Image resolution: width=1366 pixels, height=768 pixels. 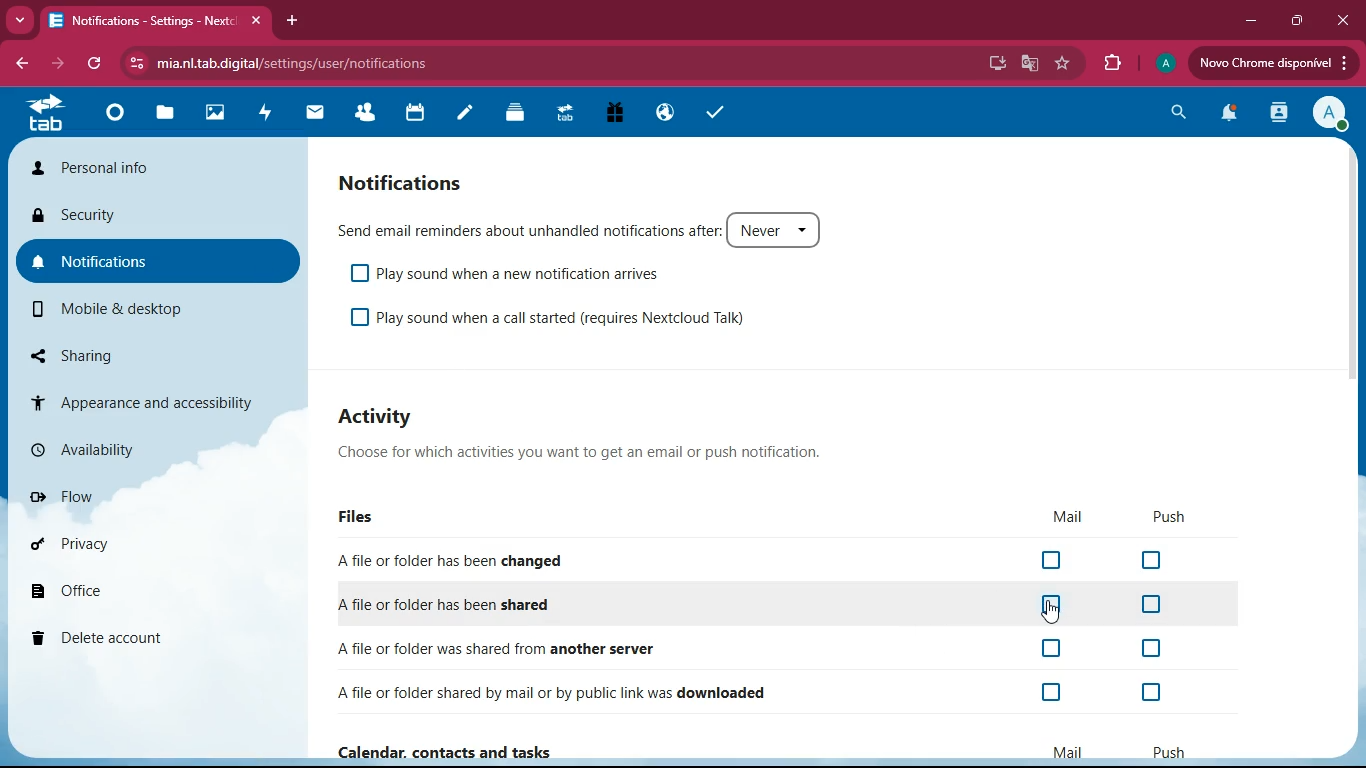 I want to click on shared, so click(x=460, y=603).